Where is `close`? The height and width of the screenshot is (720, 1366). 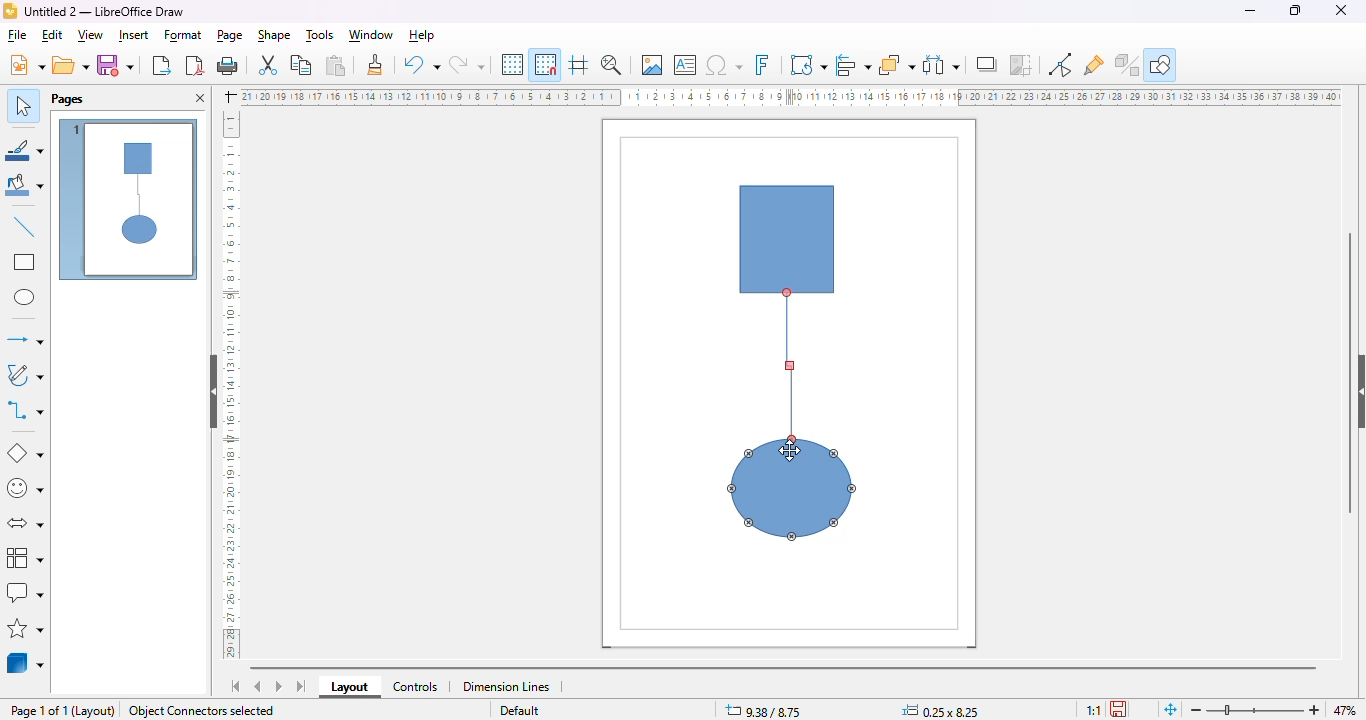
close is located at coordinates (1340, 10).